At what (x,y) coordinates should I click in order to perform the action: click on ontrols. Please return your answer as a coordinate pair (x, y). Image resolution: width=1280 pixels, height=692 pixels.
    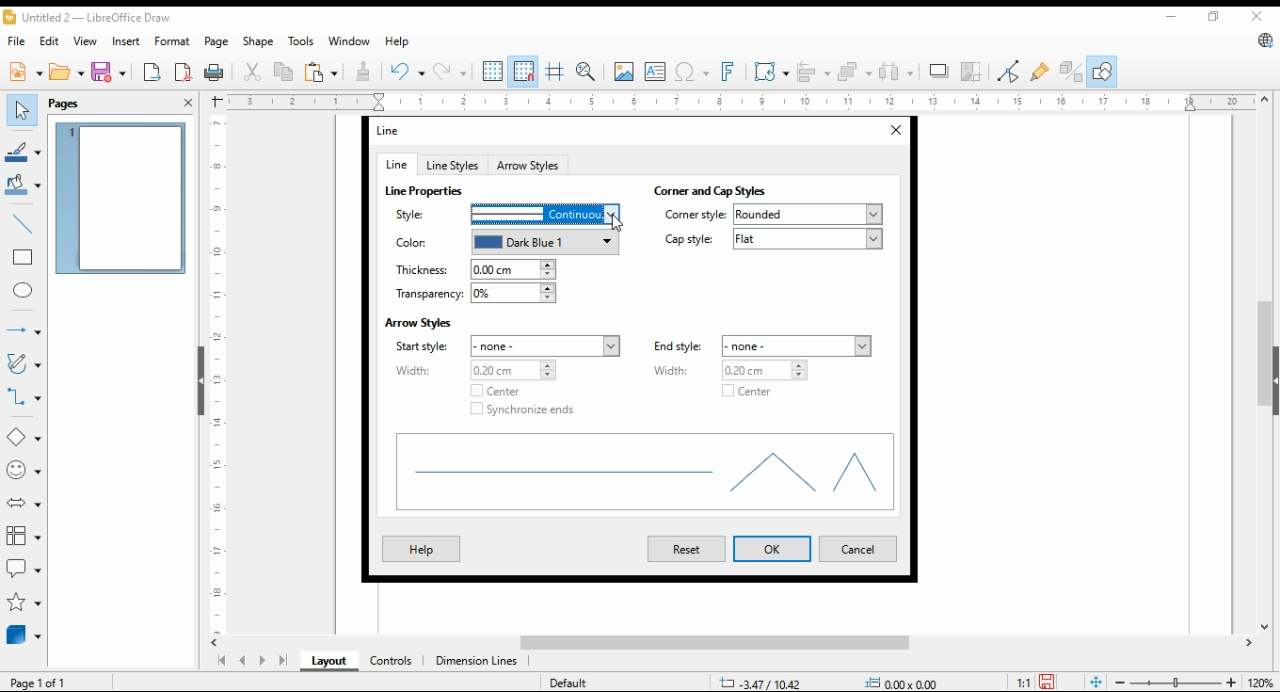
    Looking at the image, I should click on (392, 661).